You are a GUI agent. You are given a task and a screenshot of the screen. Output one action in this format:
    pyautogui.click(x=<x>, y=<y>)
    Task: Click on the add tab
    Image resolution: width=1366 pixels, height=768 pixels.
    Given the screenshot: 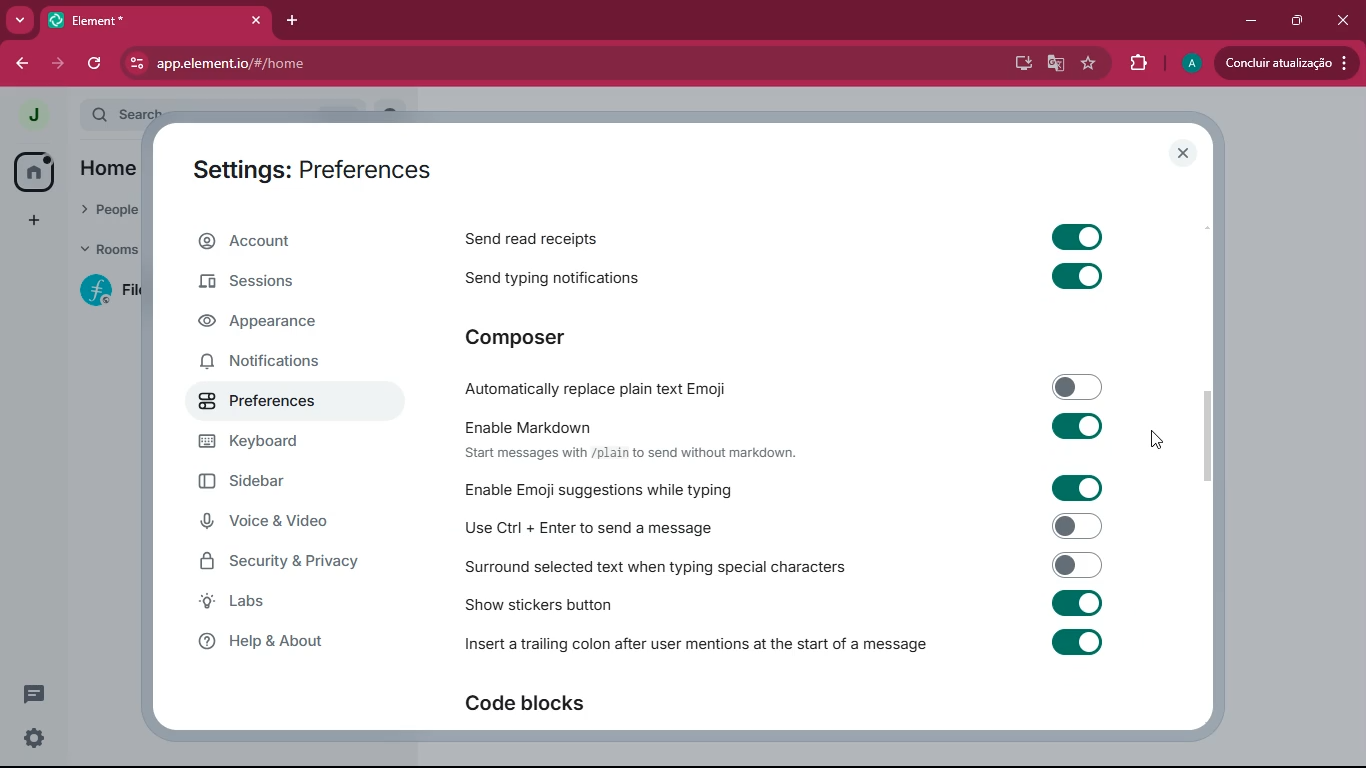 What is the action you would take?
    pyautogui.click(x=294, y=21)
    